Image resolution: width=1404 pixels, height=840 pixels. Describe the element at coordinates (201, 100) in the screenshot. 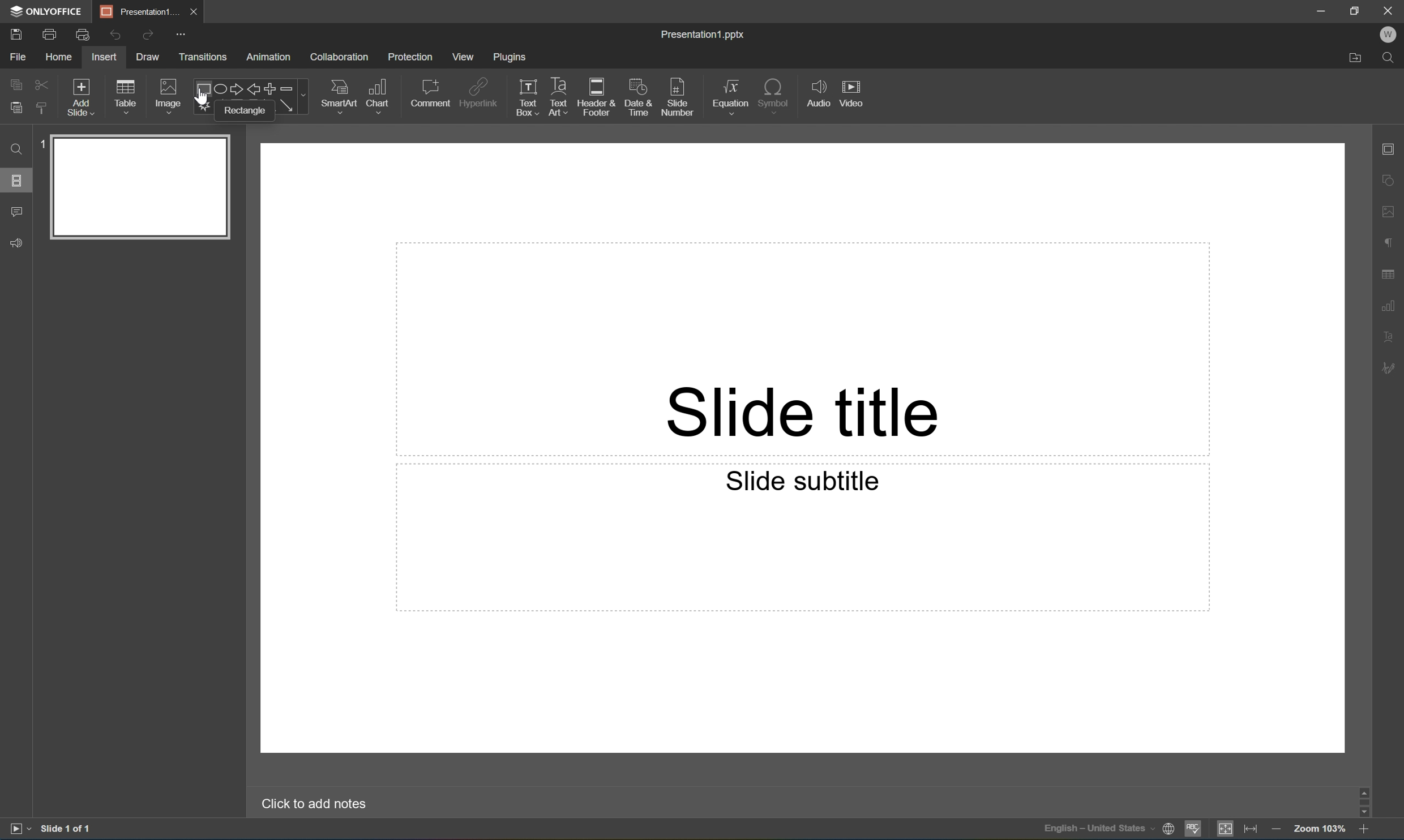

I see `mouse pointer` at that location.